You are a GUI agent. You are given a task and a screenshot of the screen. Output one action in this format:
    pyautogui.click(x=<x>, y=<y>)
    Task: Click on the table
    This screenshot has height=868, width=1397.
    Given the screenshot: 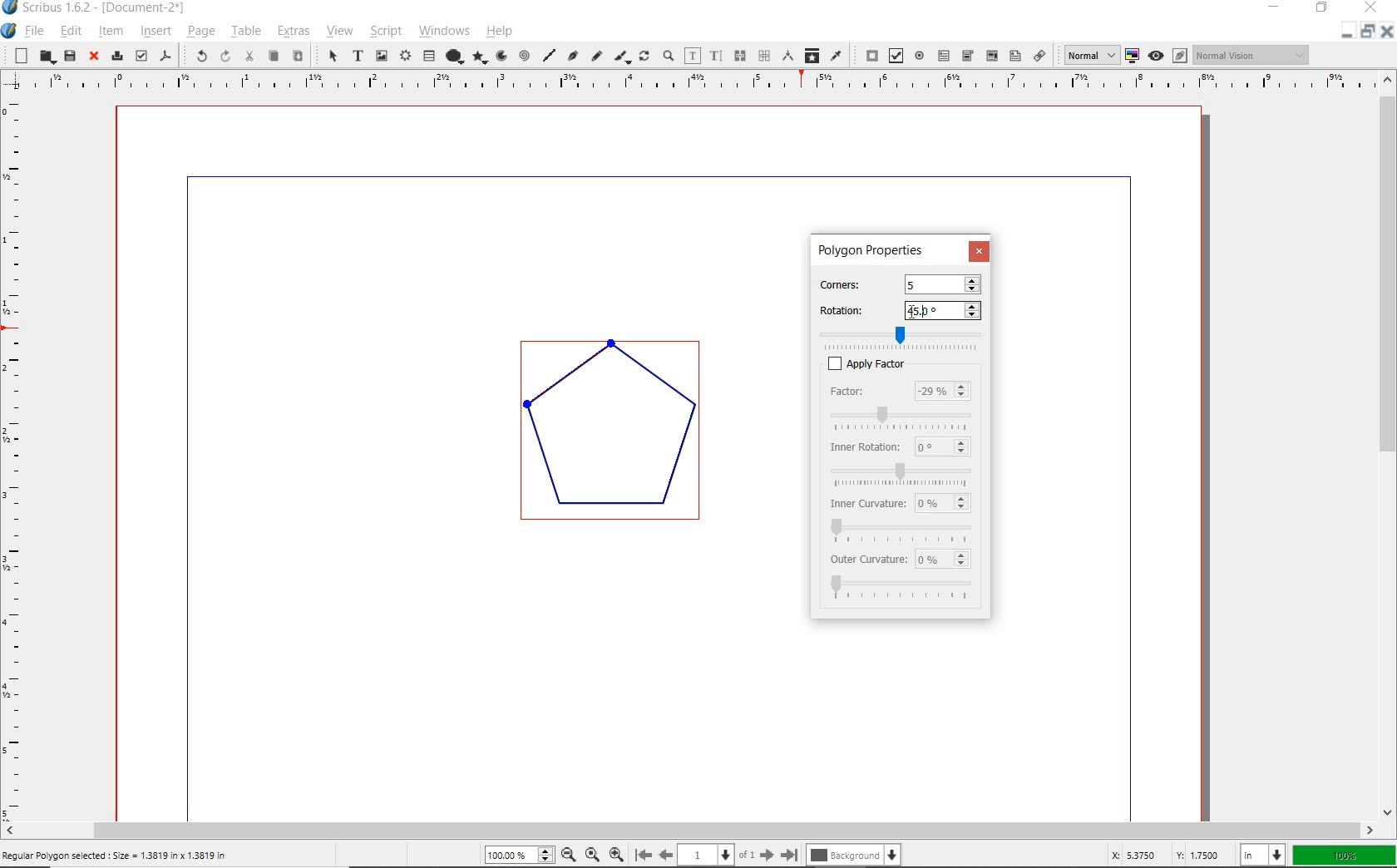 What is the action you would take?
    pyautogui.click(x=430, y=56)
    